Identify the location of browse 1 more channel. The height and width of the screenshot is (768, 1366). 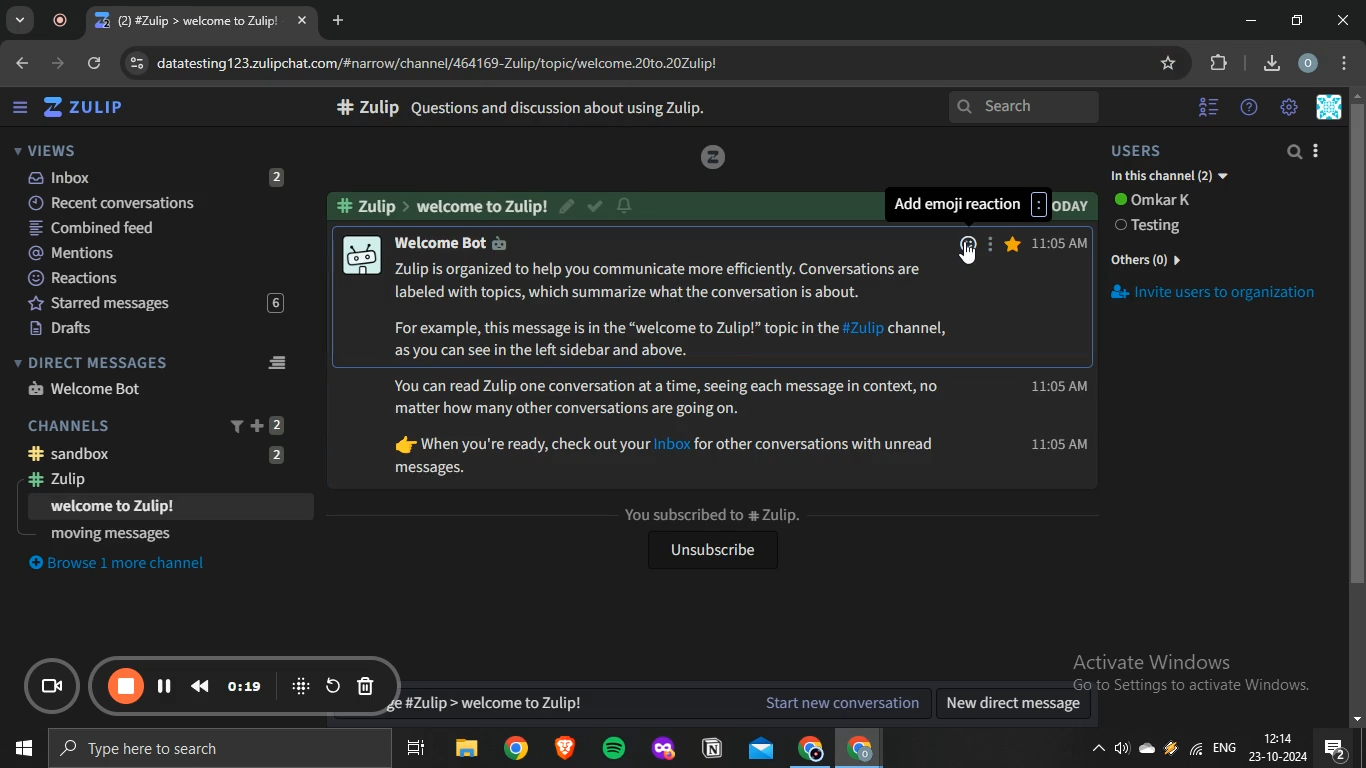
(127, 562).